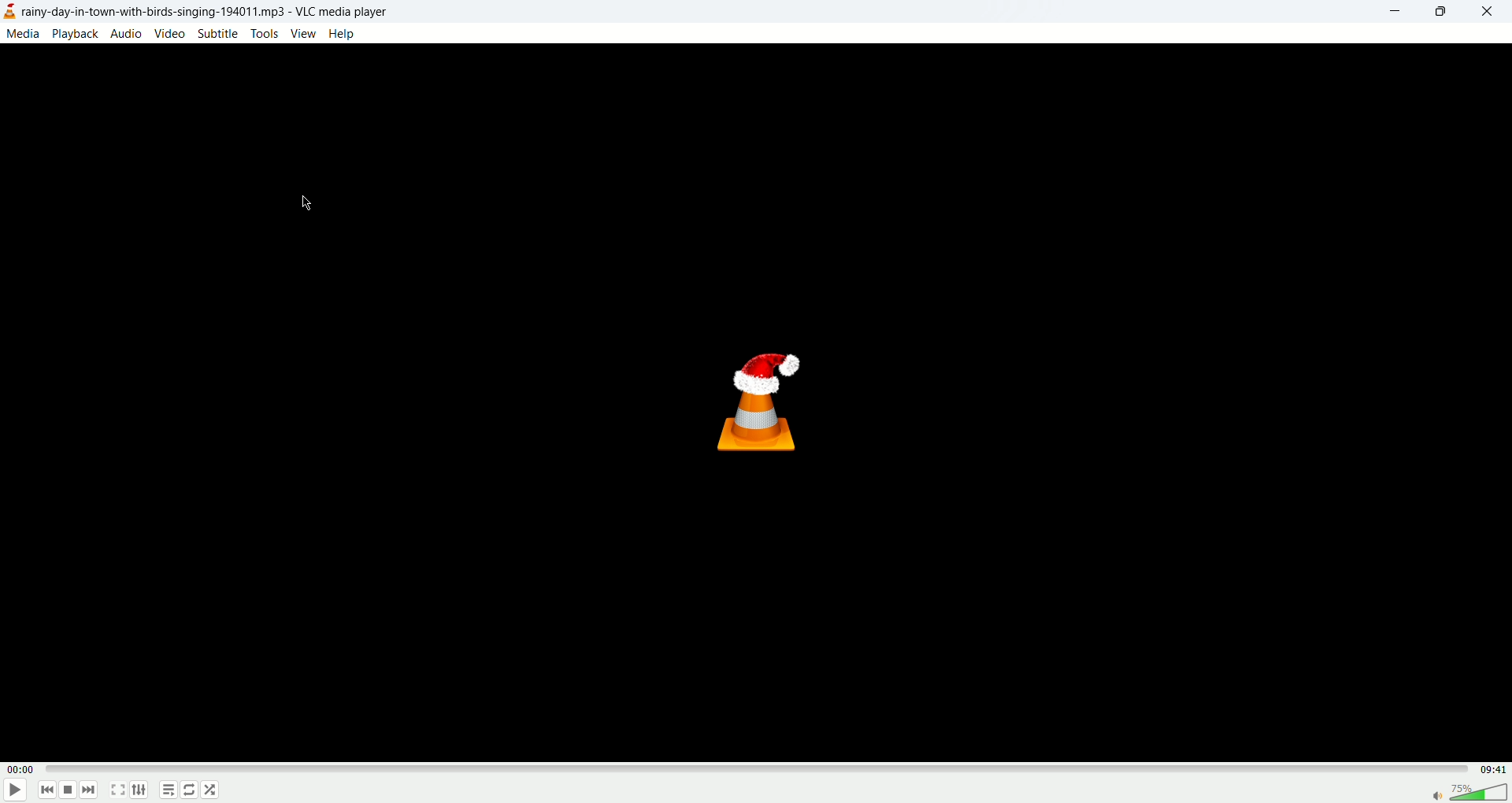 This screenshot has width=1512, height=803. Describe the element at coordinates (77, 34) in the screenshot. I see `playback` at that location.